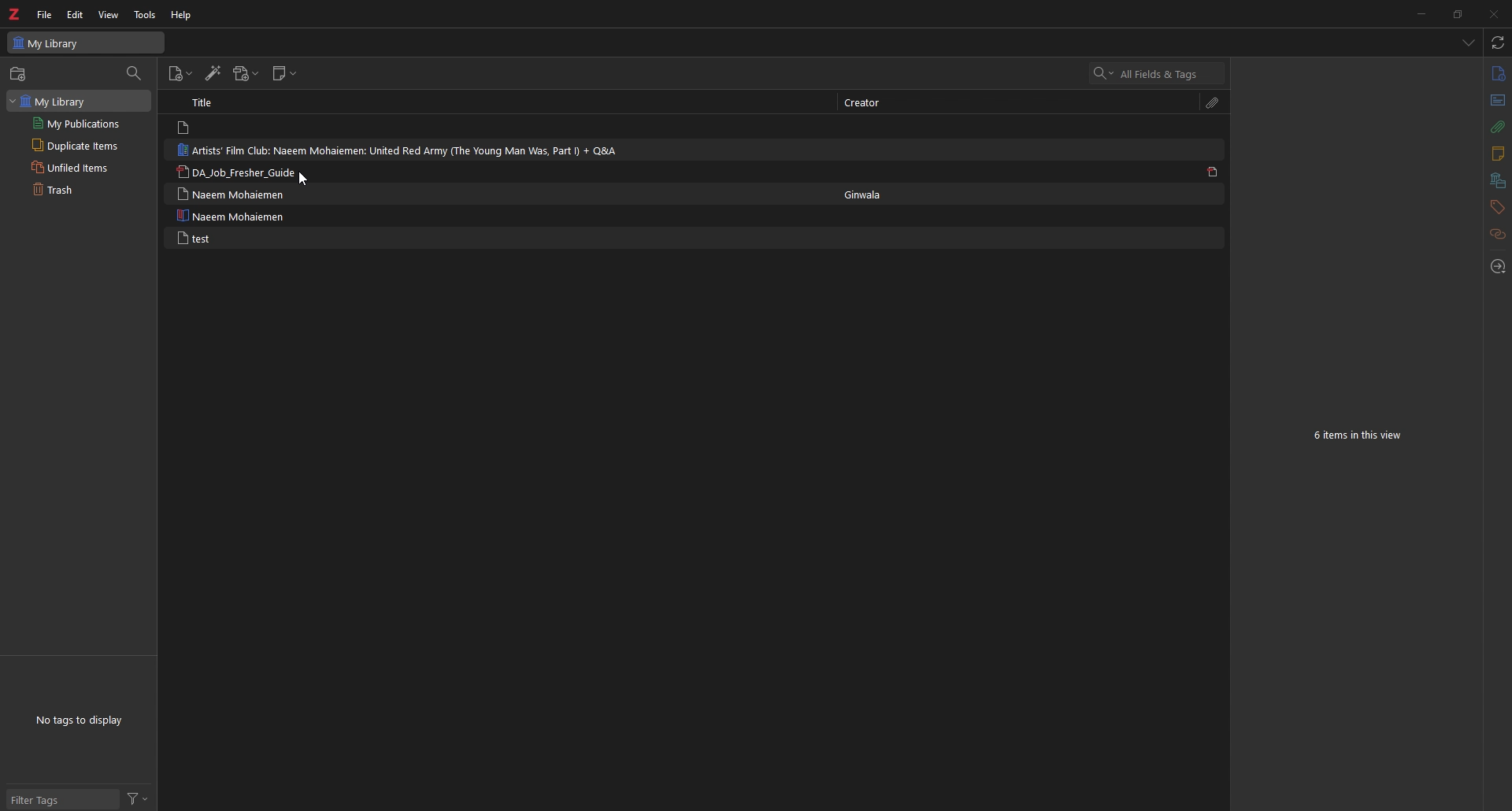  What do you see at coordinates (1498, 43) in the screenshot?
I see `sync with zotero.org` at bounding box center [1498, 43].